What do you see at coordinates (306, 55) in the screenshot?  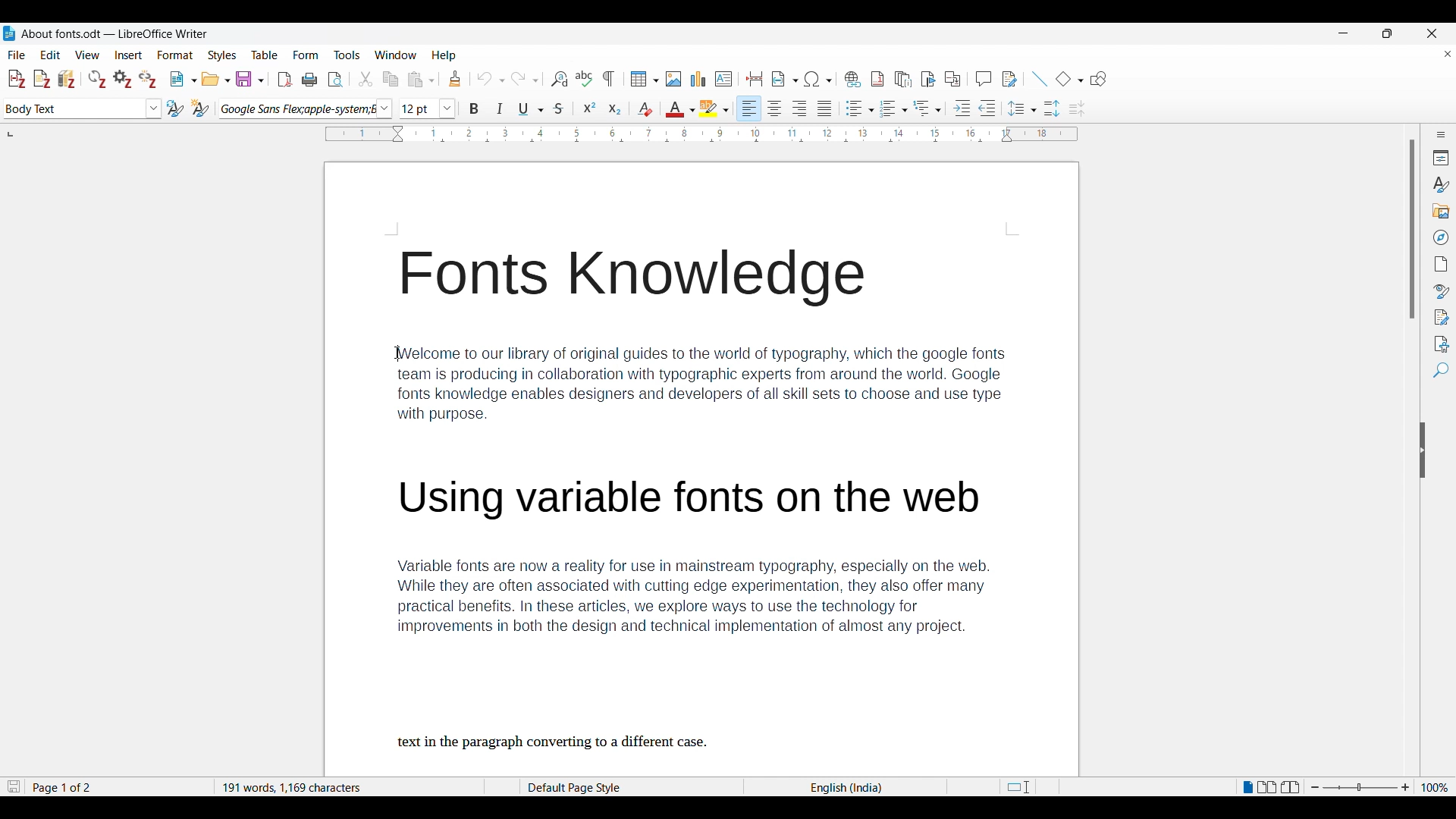 I see `Form menu` at bounding box center [306, 55].